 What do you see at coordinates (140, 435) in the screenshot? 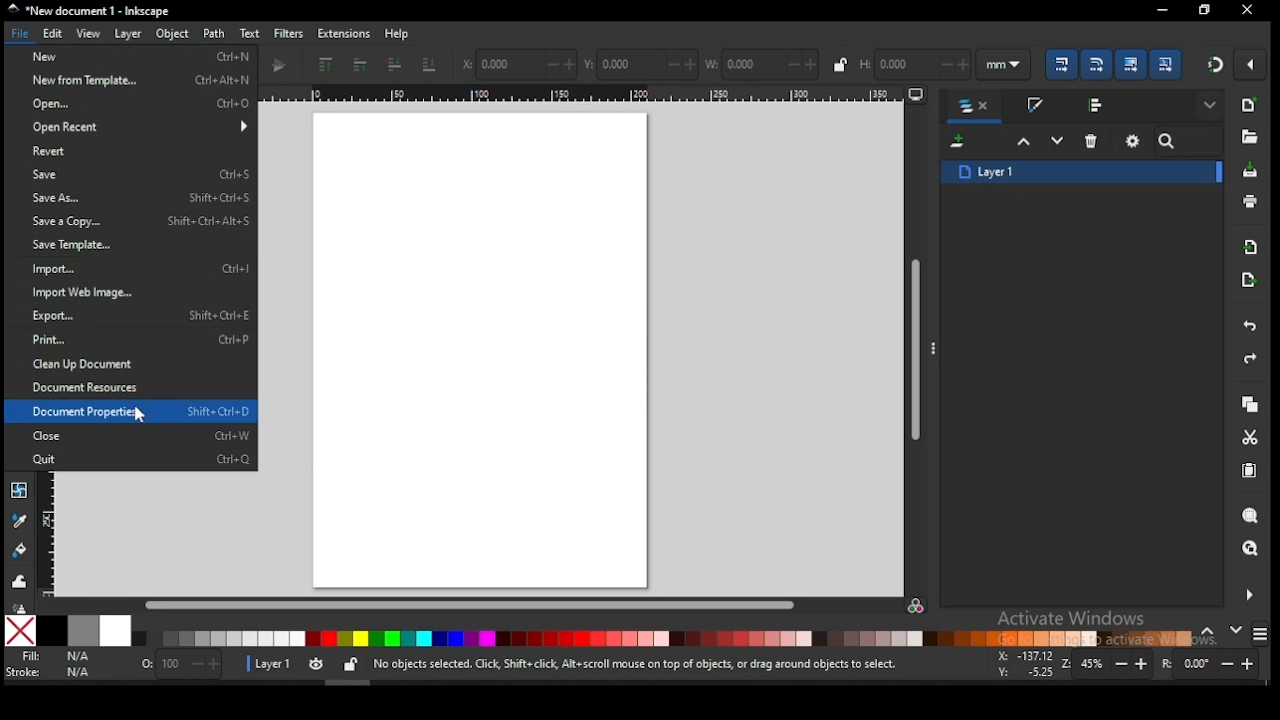
I see `close` at bounding box center [140, 435].